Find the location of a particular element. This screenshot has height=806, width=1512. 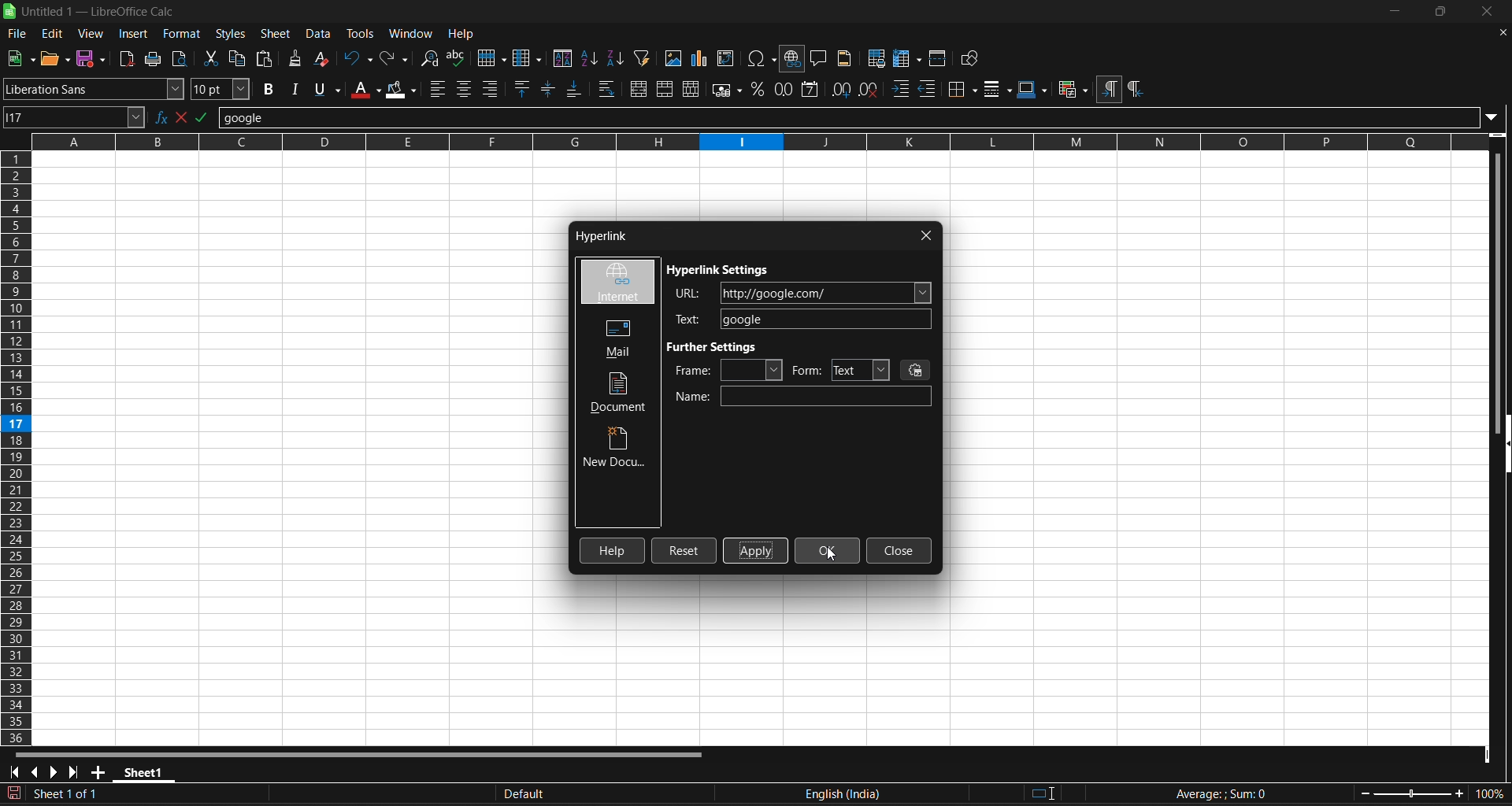

sort descending is located at coordinates (617, 57).